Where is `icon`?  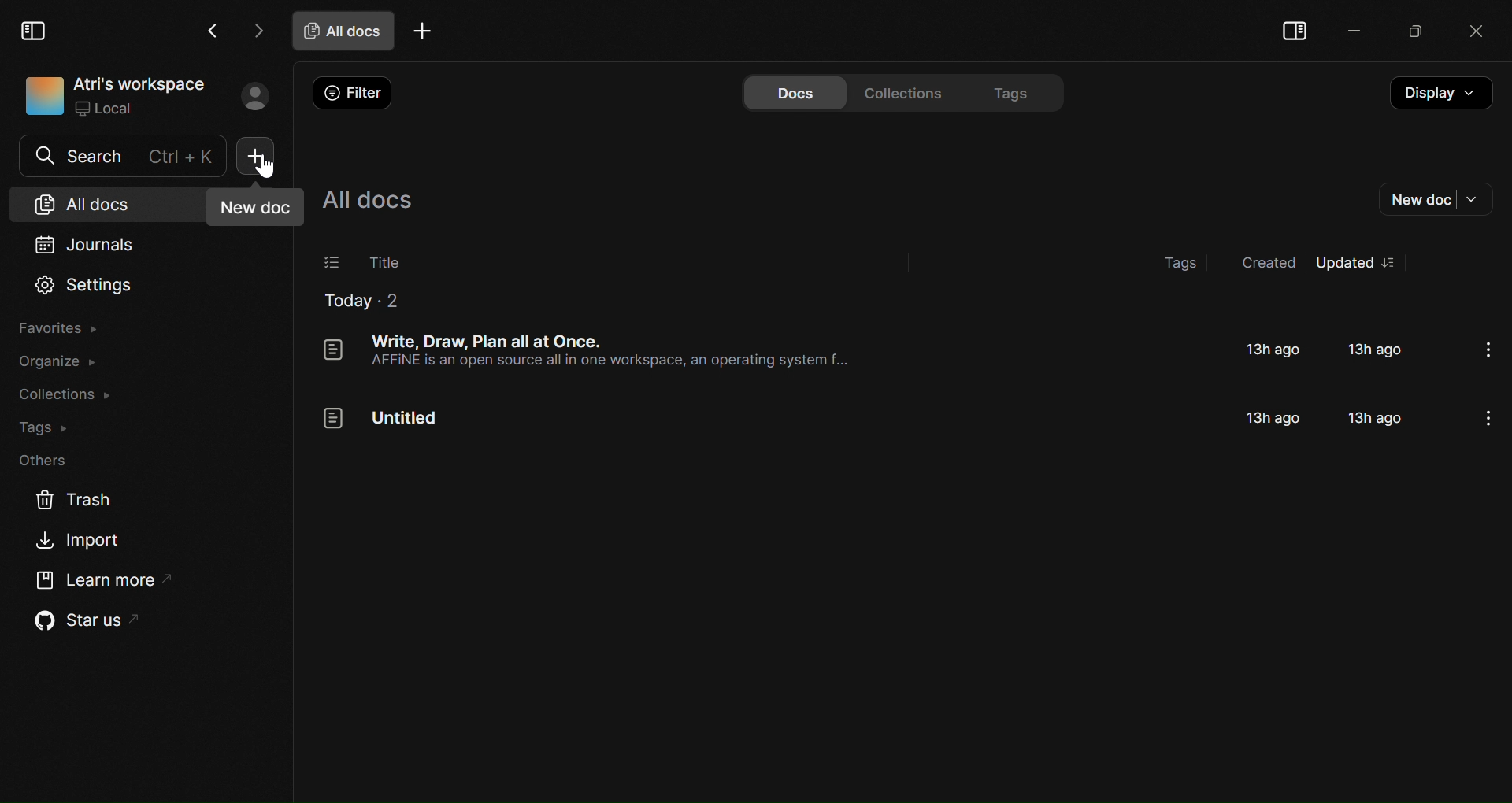
icon is located at coordinates (41, 96).